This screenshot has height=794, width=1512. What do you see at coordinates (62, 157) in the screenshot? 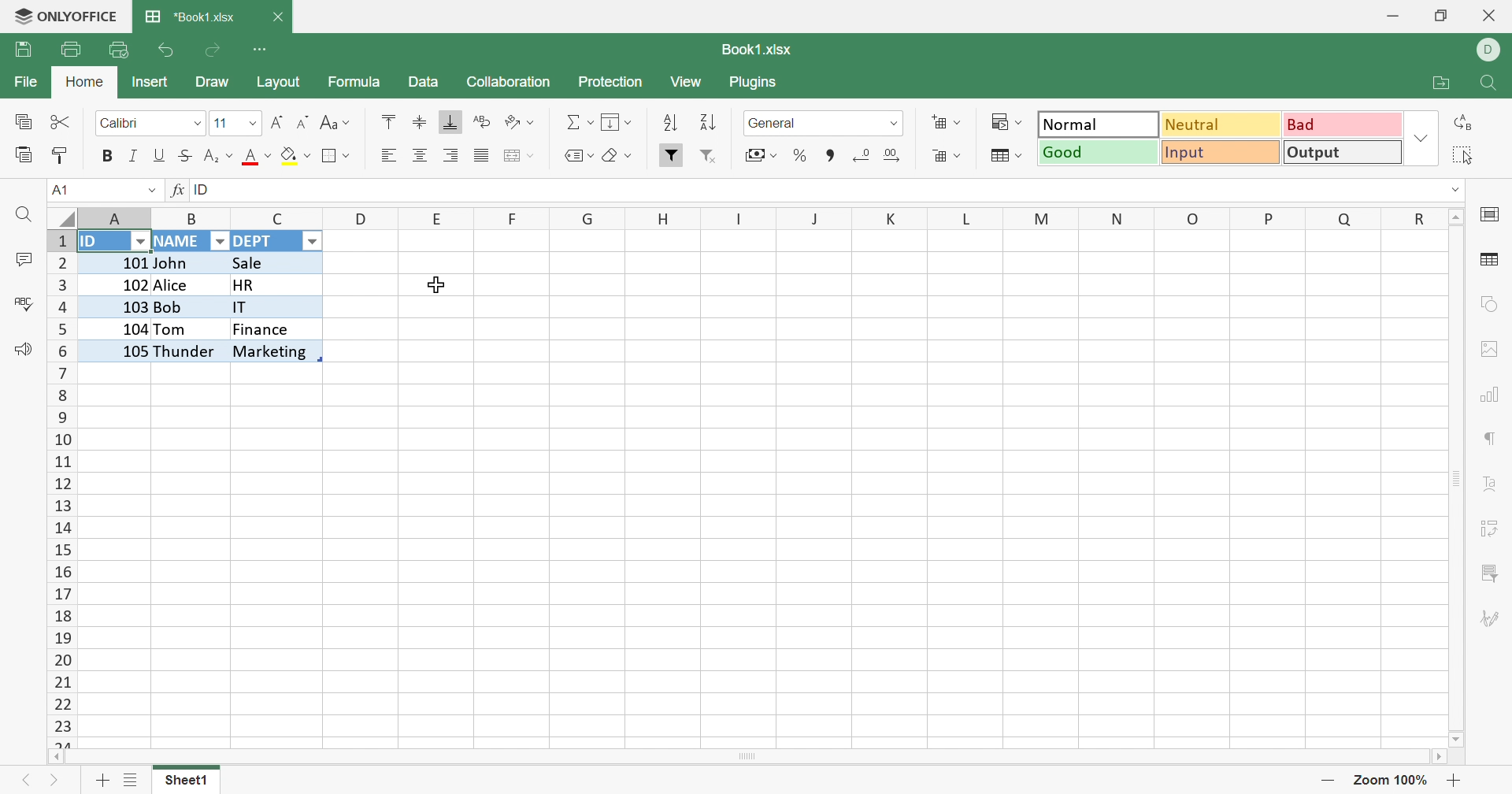
I see `Copy Style` at bounding box center [62, 157].